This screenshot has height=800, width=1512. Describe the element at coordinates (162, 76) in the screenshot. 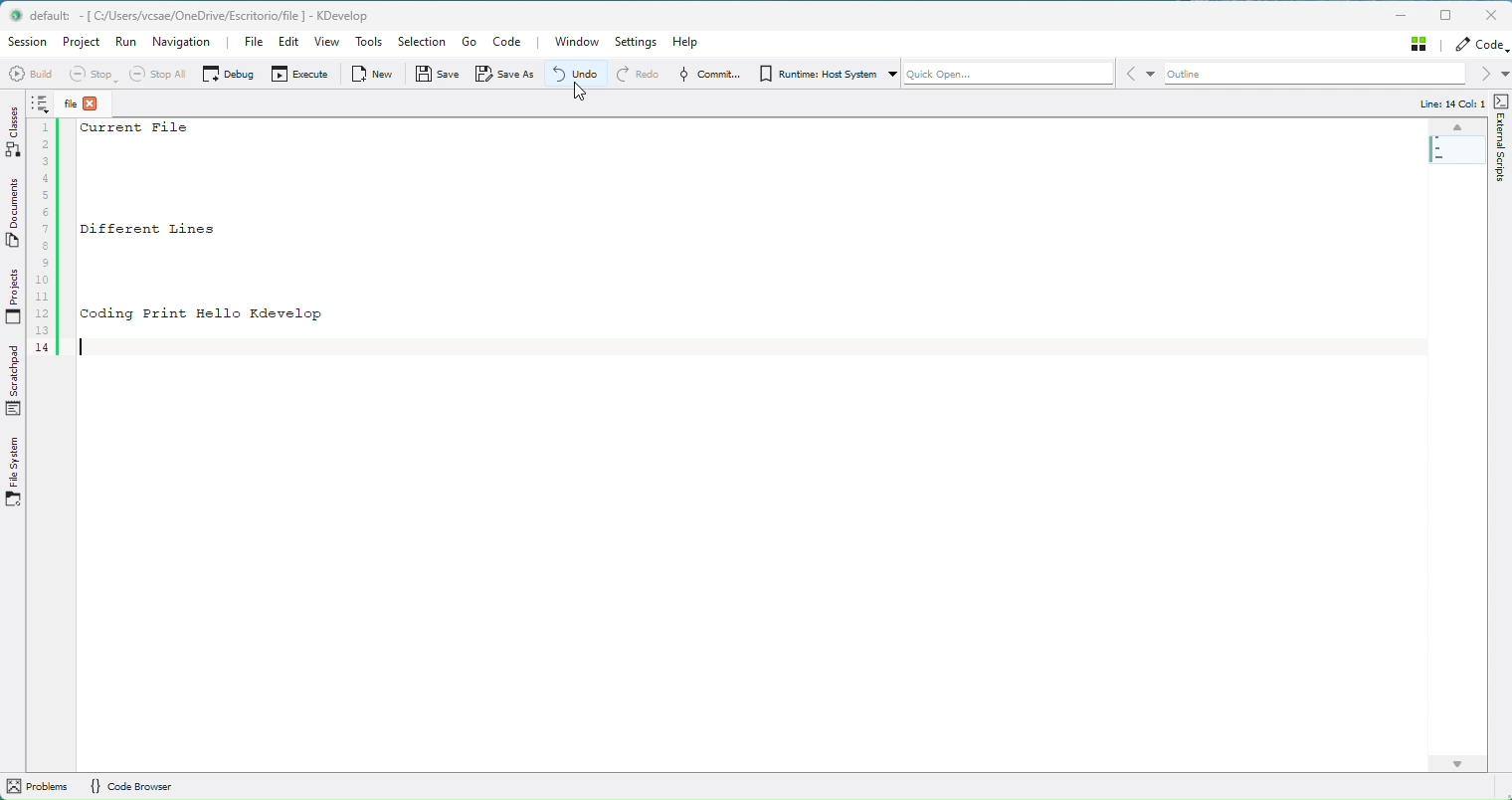

I see `Stop All` at that location.